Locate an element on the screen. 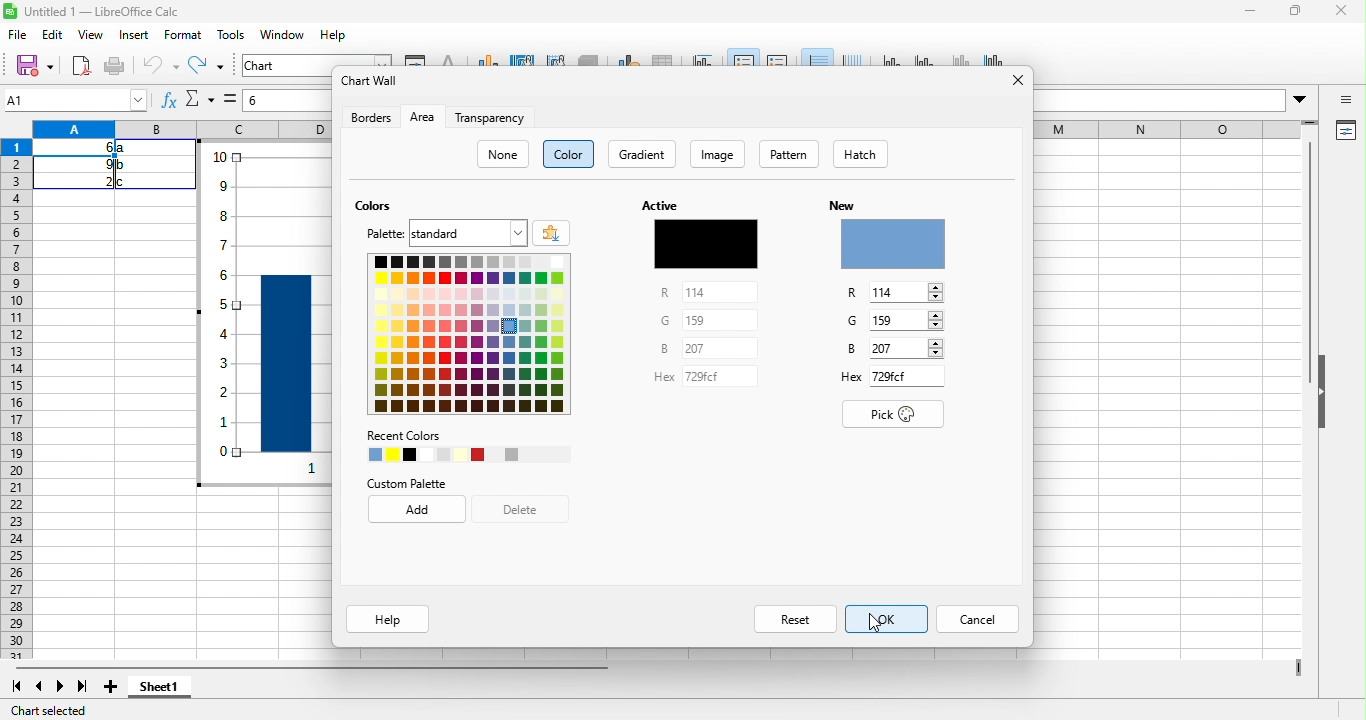 The width and height of the screenshot is (1366, 720). Hex is located at coordinates (844, 382).